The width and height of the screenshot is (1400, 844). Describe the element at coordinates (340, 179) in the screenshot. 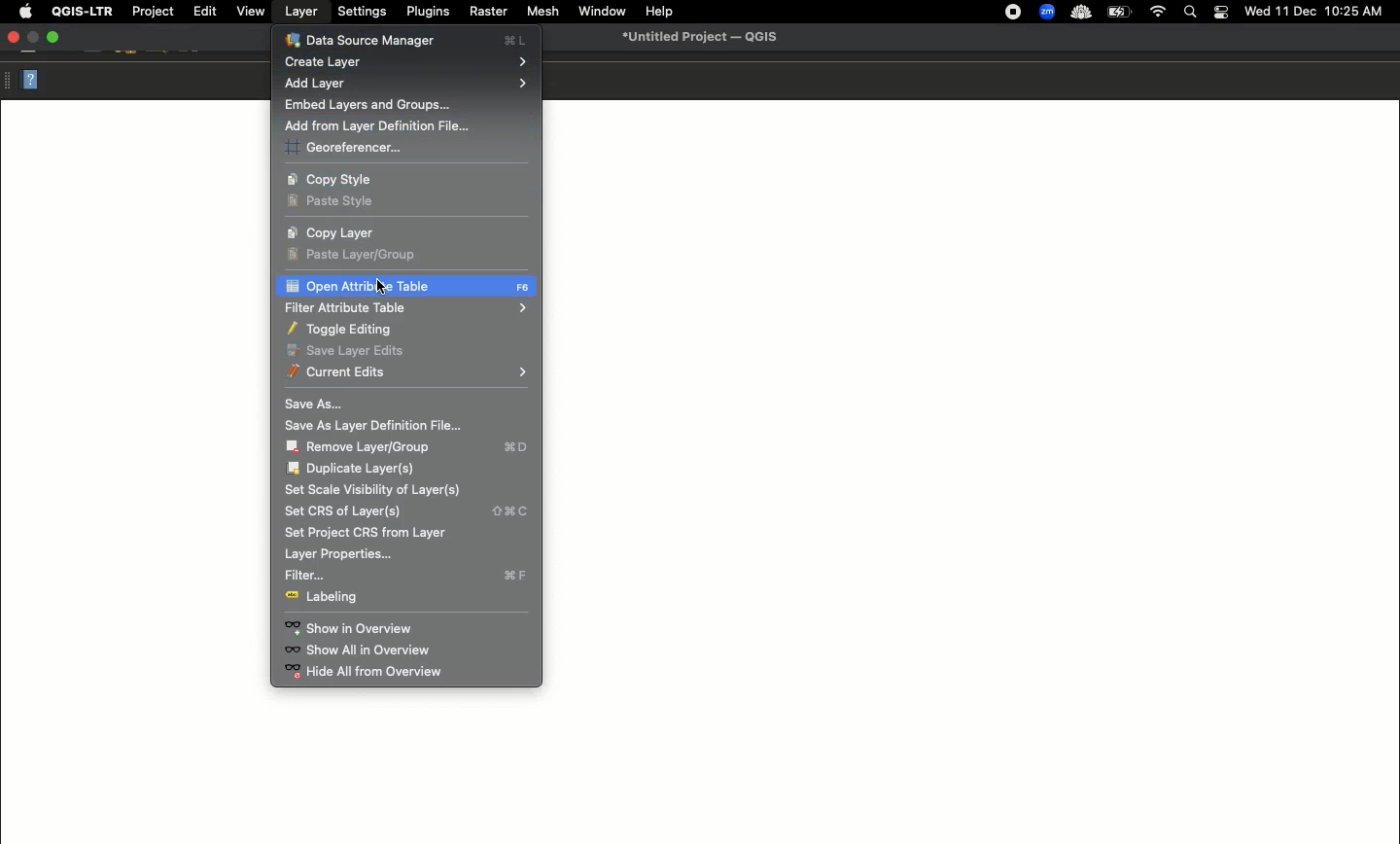

I see `Copy style` at that location.